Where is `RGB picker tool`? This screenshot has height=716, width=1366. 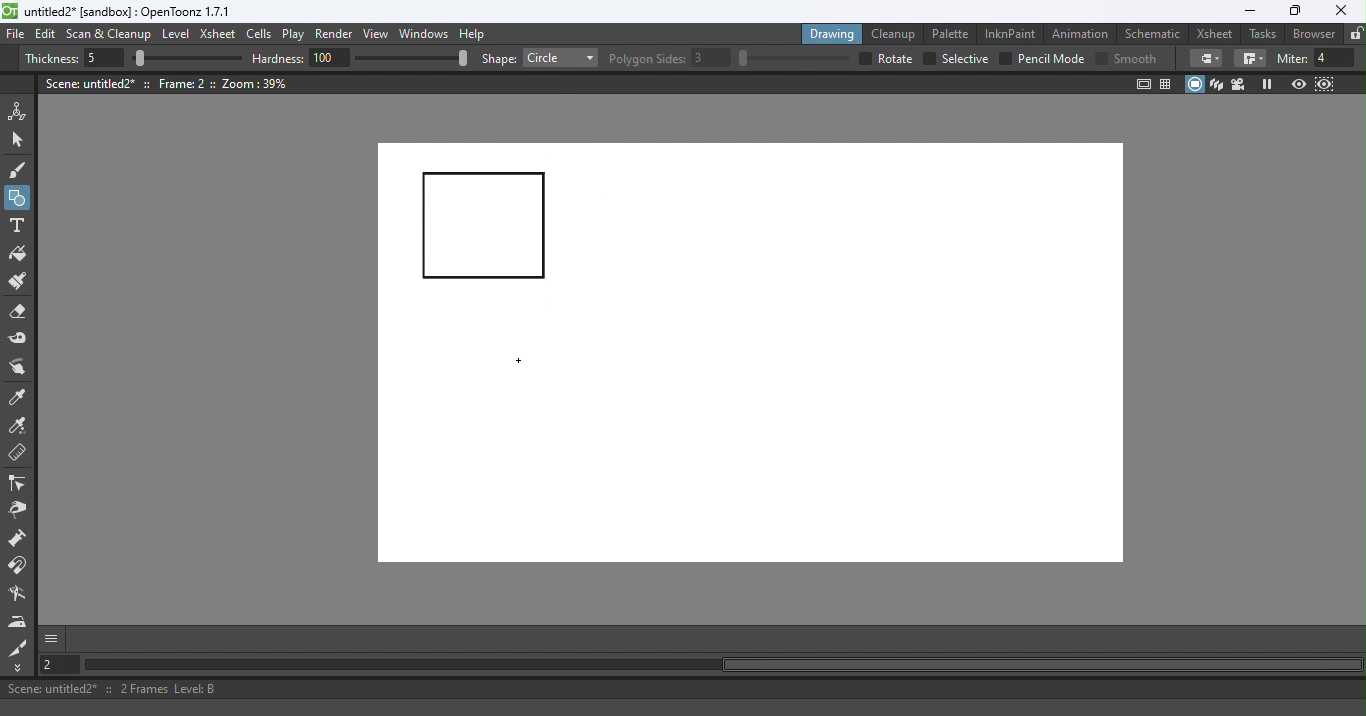 RGB picker tool is located at coordinates (21, 427).